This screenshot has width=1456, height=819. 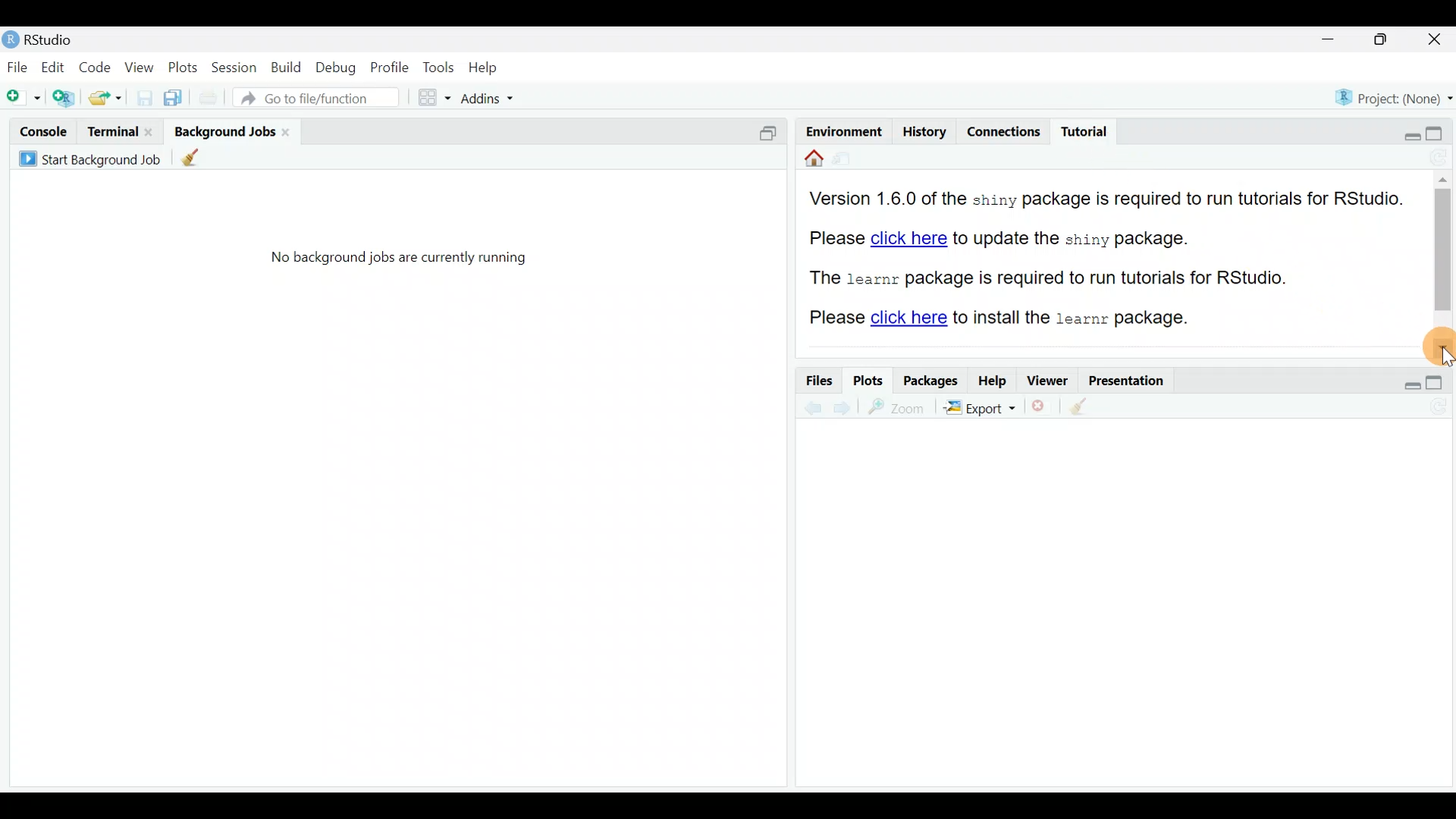 I want to click on Save all open documents, so click(x=174, y=99).